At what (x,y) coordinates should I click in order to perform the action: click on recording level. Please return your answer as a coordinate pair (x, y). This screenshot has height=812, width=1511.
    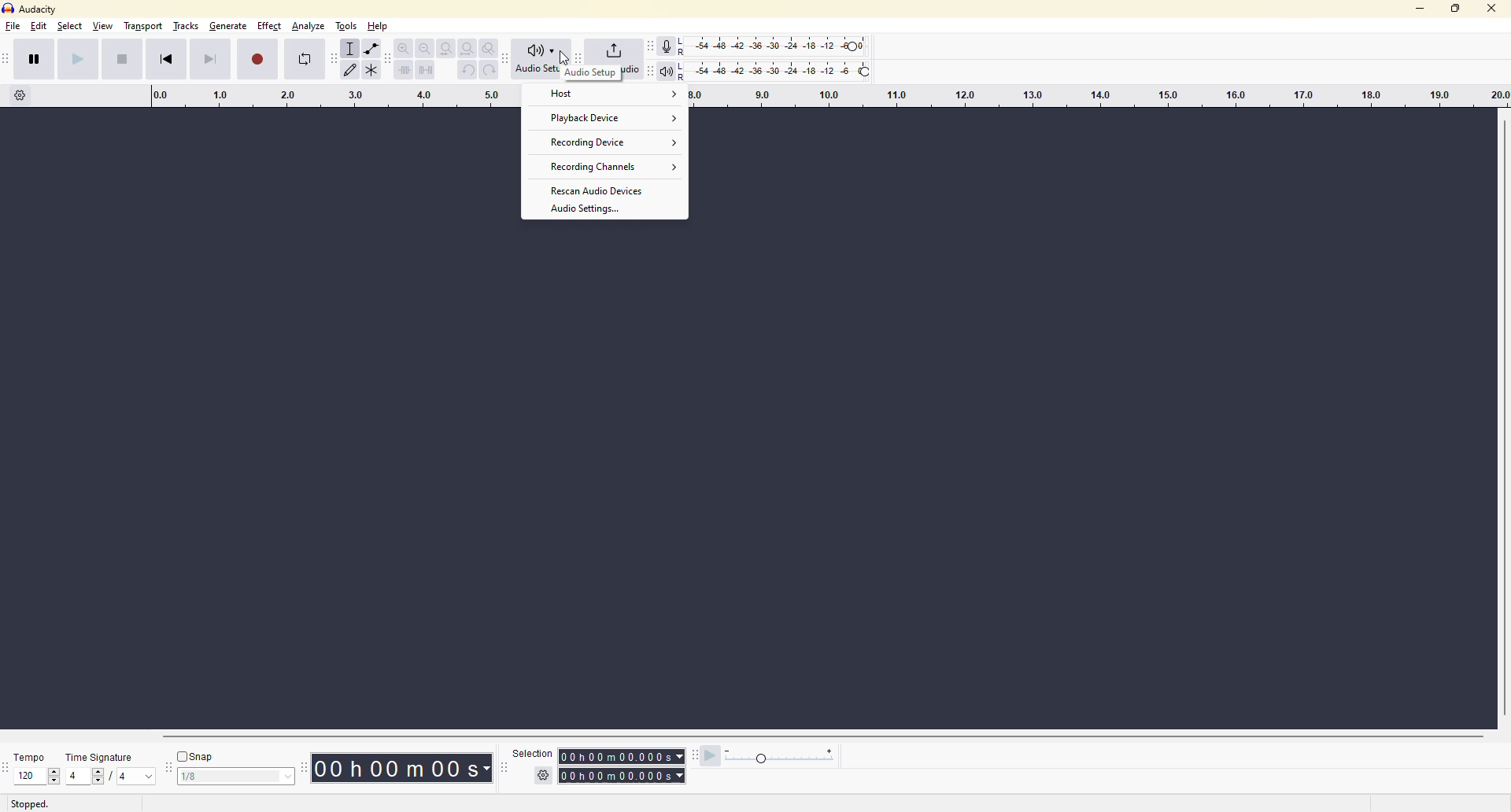
    Looking at the image, I should click on (774, 47).